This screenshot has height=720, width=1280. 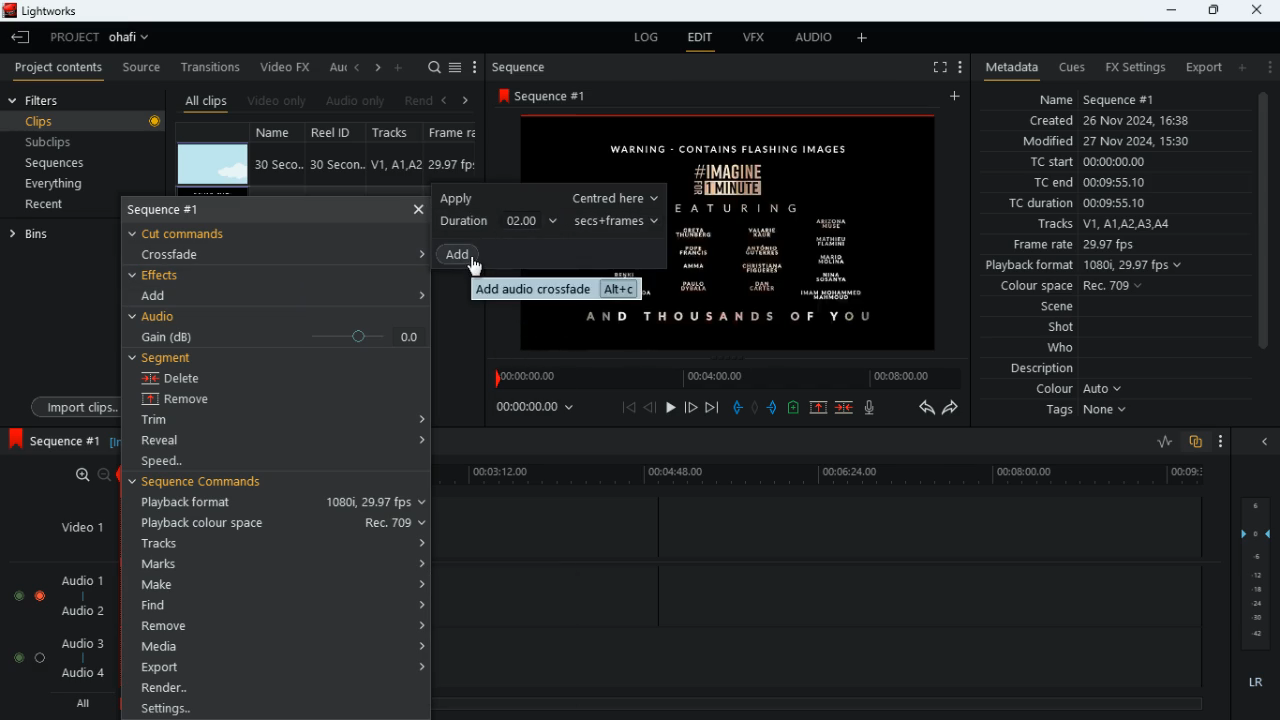 What do you see at coordinates (212, 65) in the screenshot?
I see `transitions` at bounding box center [212, 65].